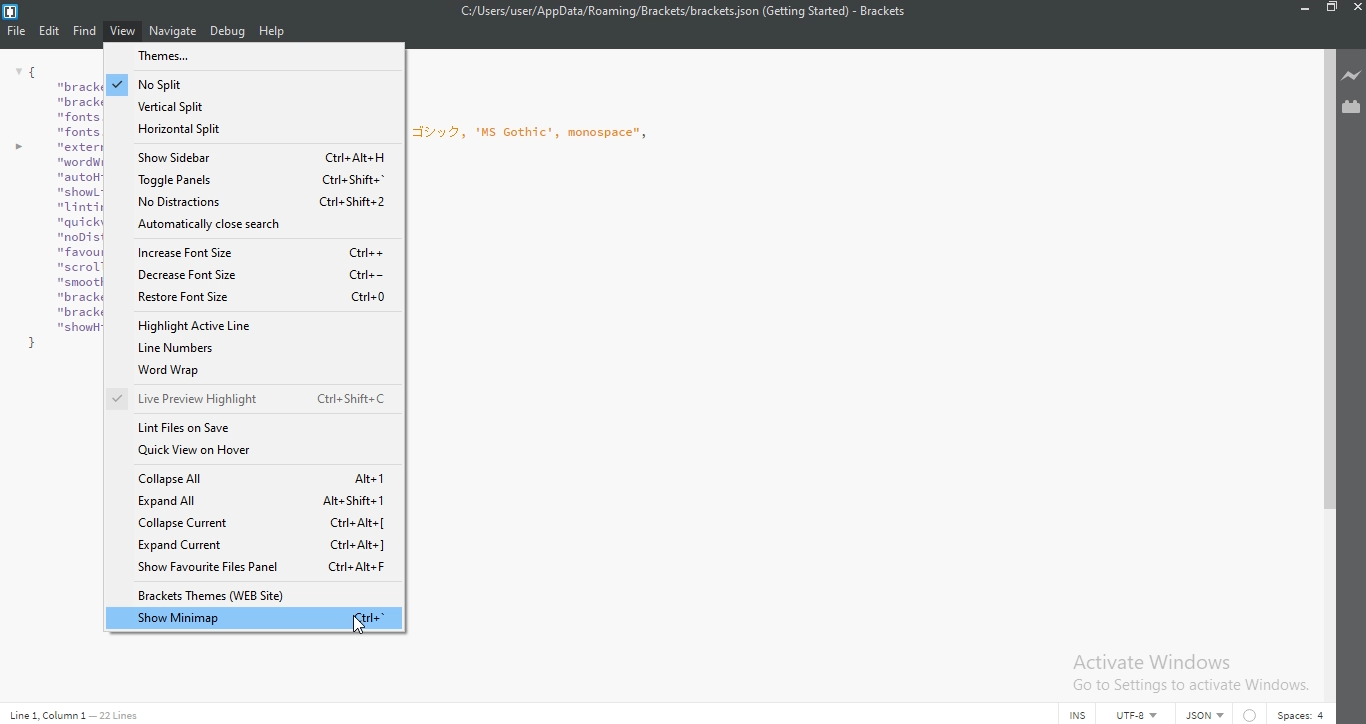  I want to click on Automatically close search, so click(237, 227).